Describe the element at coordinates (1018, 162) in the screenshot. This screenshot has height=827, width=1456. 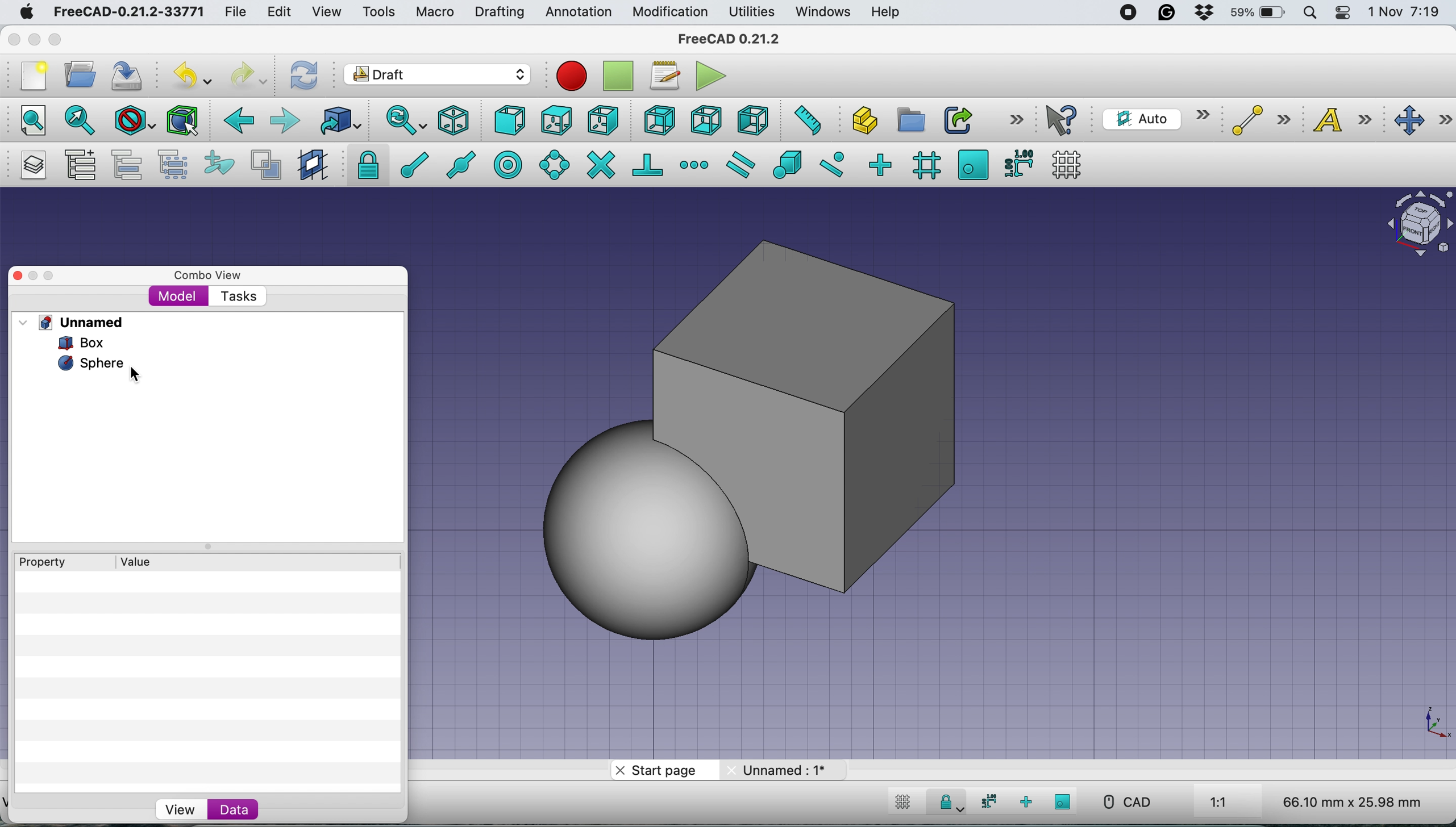
I see `snap dimensions` at that location.